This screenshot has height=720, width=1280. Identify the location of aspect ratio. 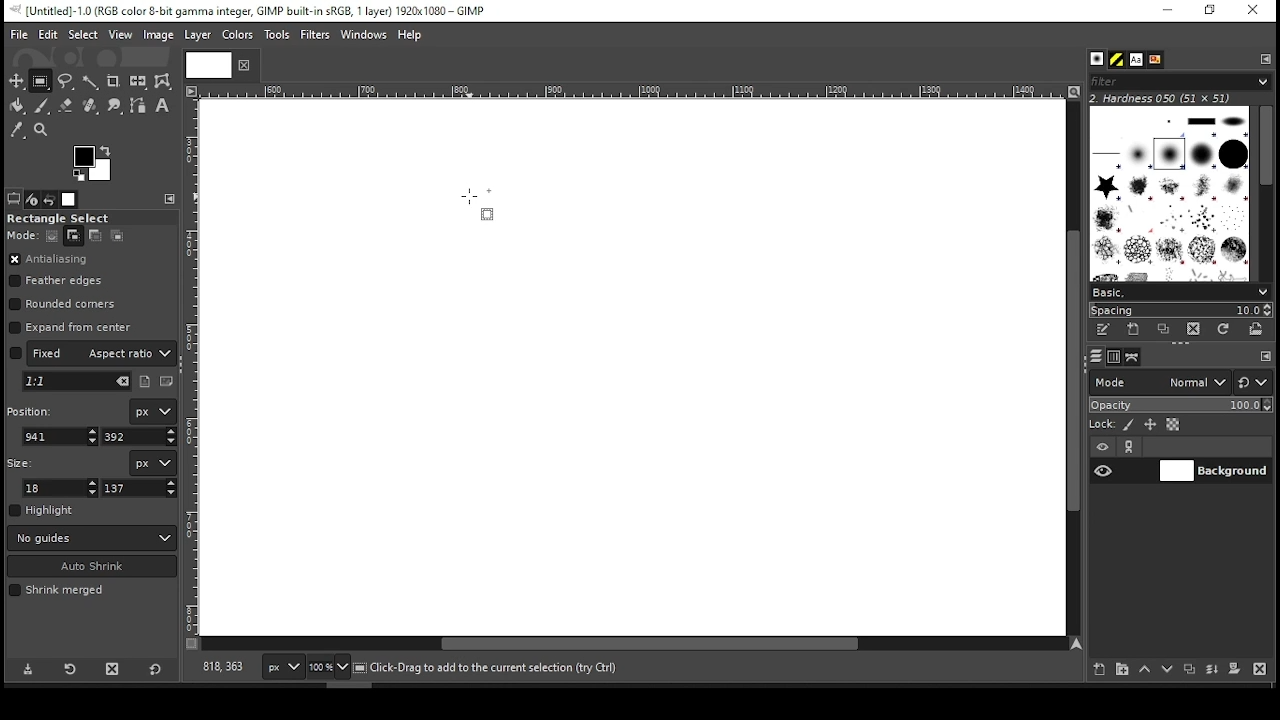
(93, 352).